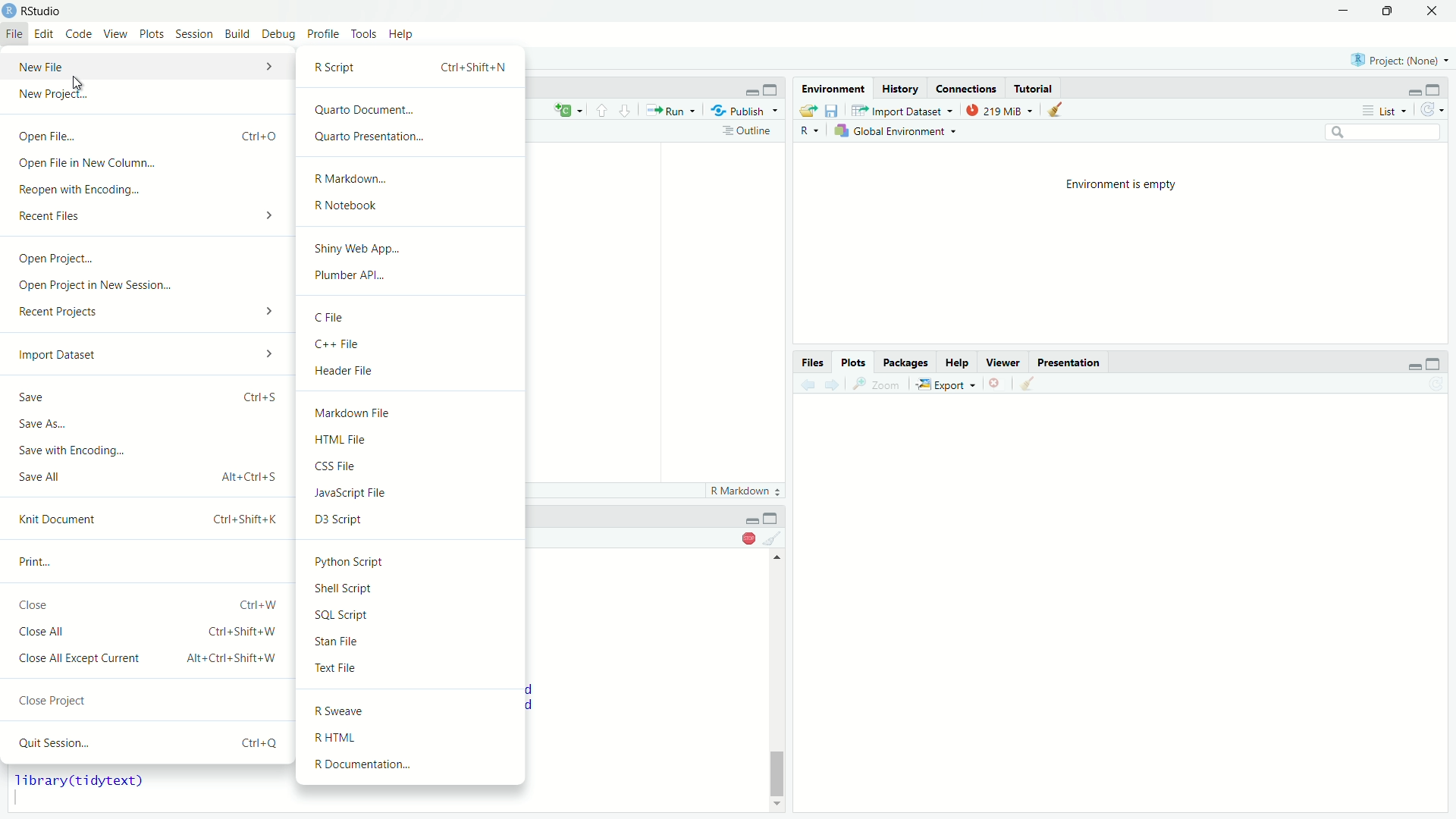  I want to click on Close All Except Current, so click(151, 657).